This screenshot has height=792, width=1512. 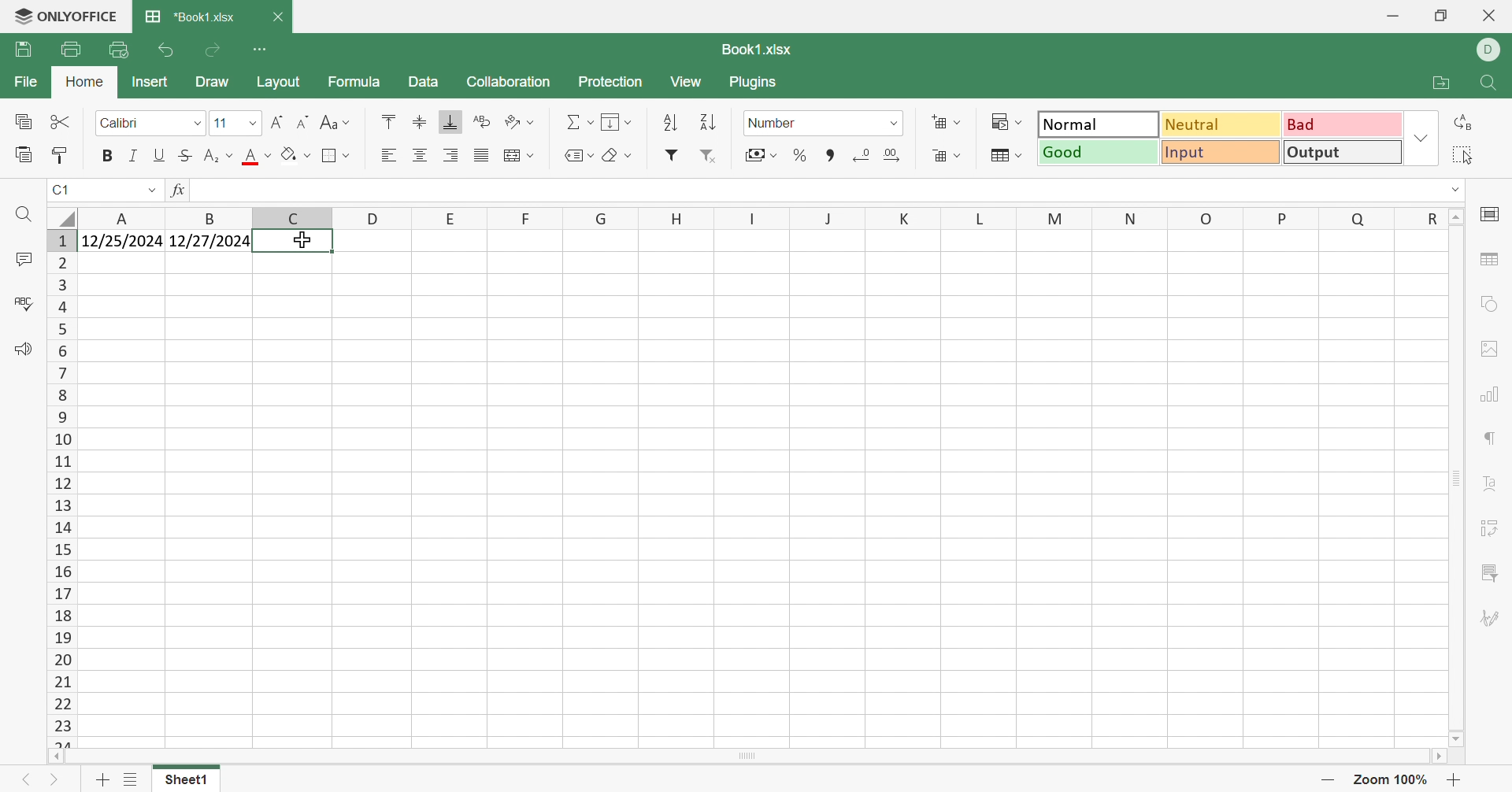 I want to click on Data, so click(x=424, y=81).